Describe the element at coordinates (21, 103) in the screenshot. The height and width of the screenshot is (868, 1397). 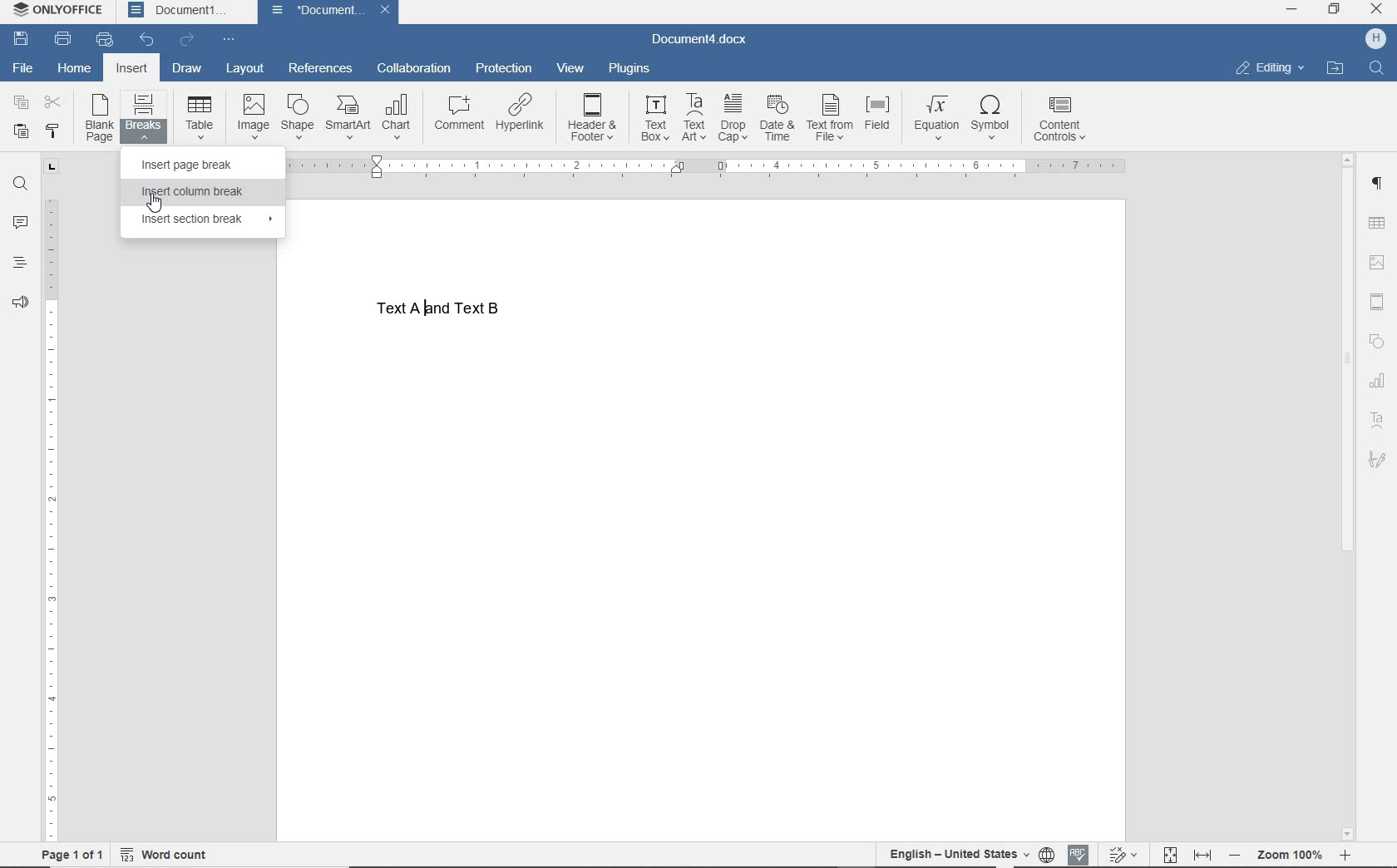
I see `COPY` at that location.